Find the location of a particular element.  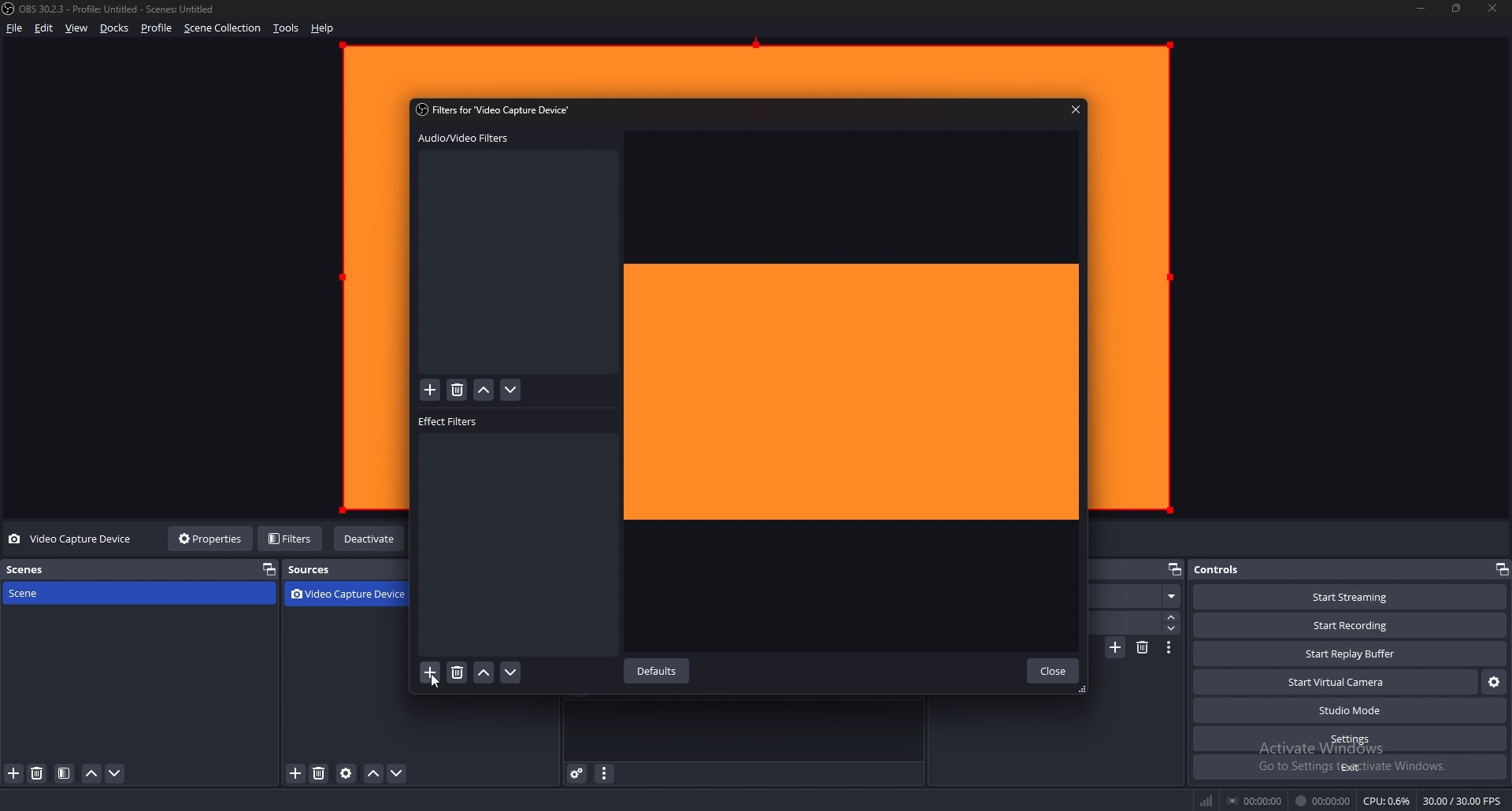

profile is located at coordinates (157, 28).